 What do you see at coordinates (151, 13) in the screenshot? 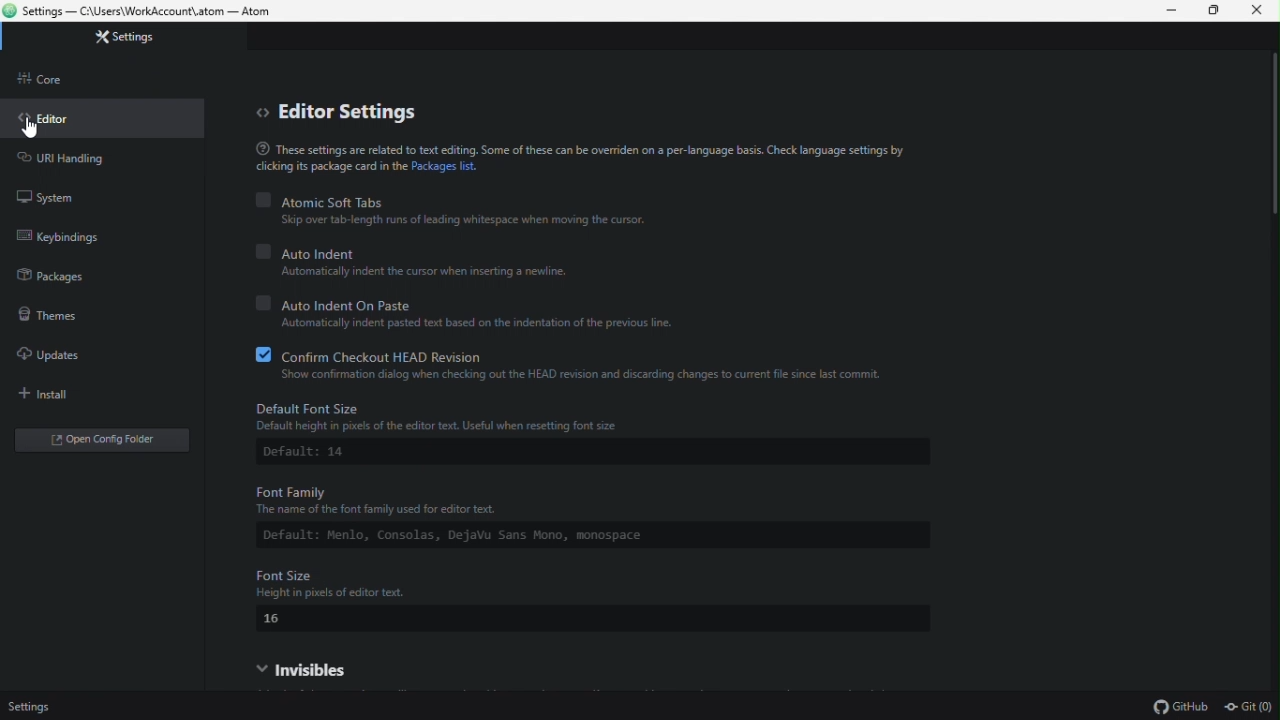
I see ` Settings — C:\Users\WorkAccount\.atom — Atom` at bounding box center [151, 13].